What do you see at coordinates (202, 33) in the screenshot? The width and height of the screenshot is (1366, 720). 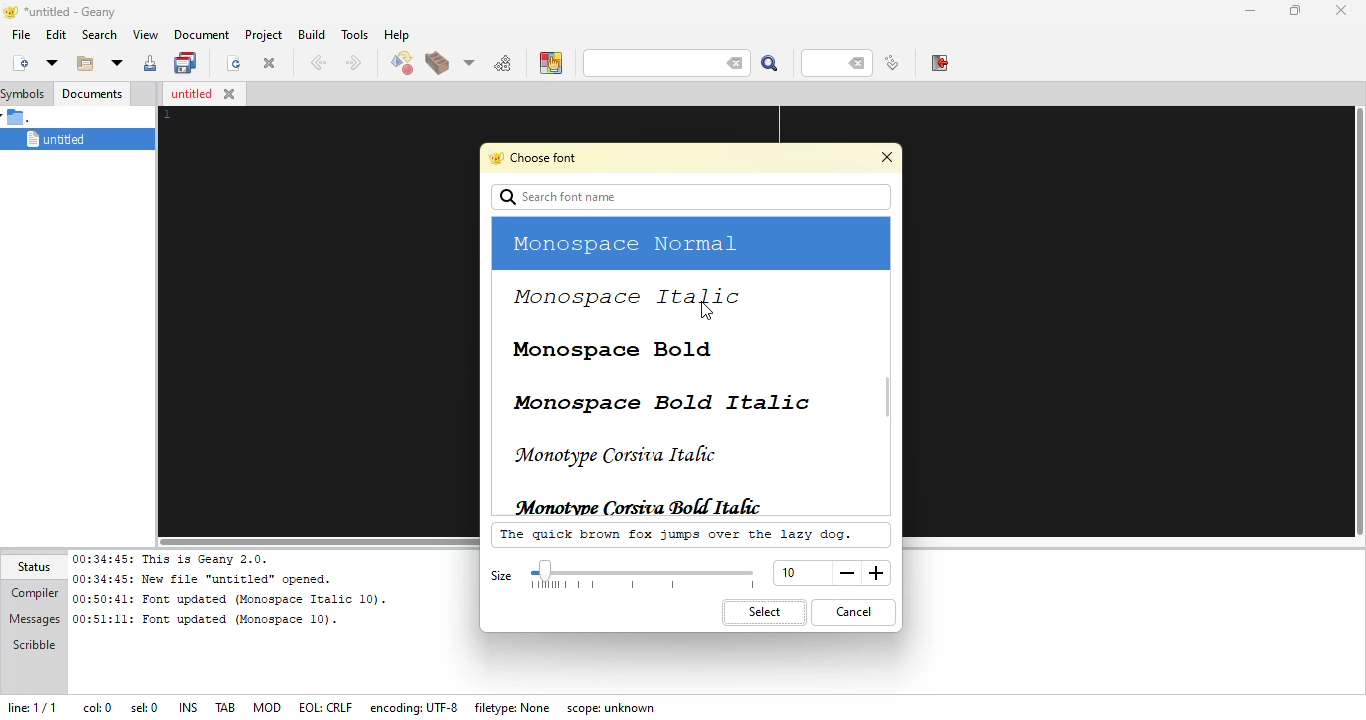 I see `document` at bounding box center [202, 33].